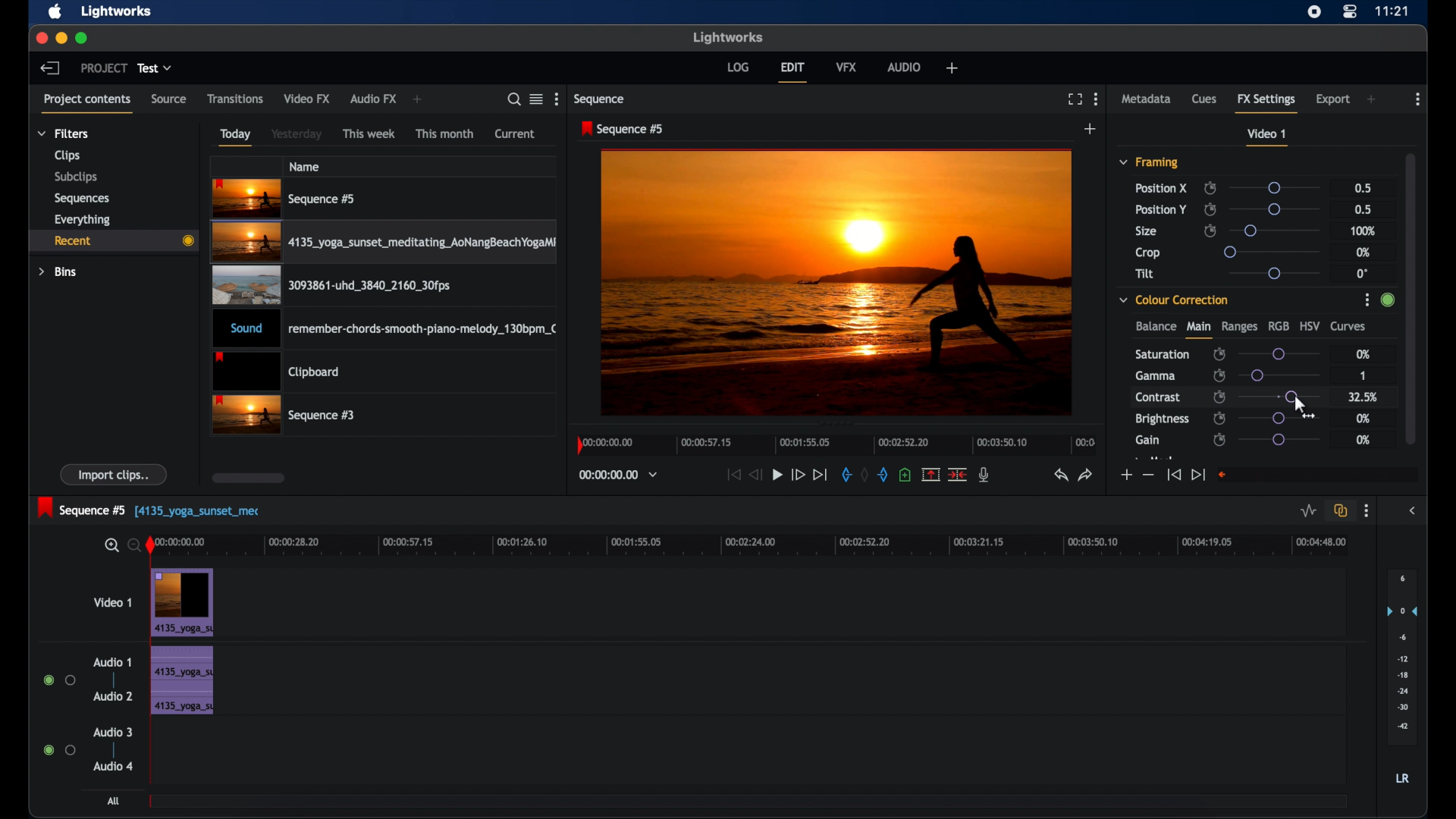 Image resolution: width=1456 pixels, height=819 pixels. What do you see at coordinates (820, 475) in the screenshot?
I see `jump to end` at bounding box center [820, 475].